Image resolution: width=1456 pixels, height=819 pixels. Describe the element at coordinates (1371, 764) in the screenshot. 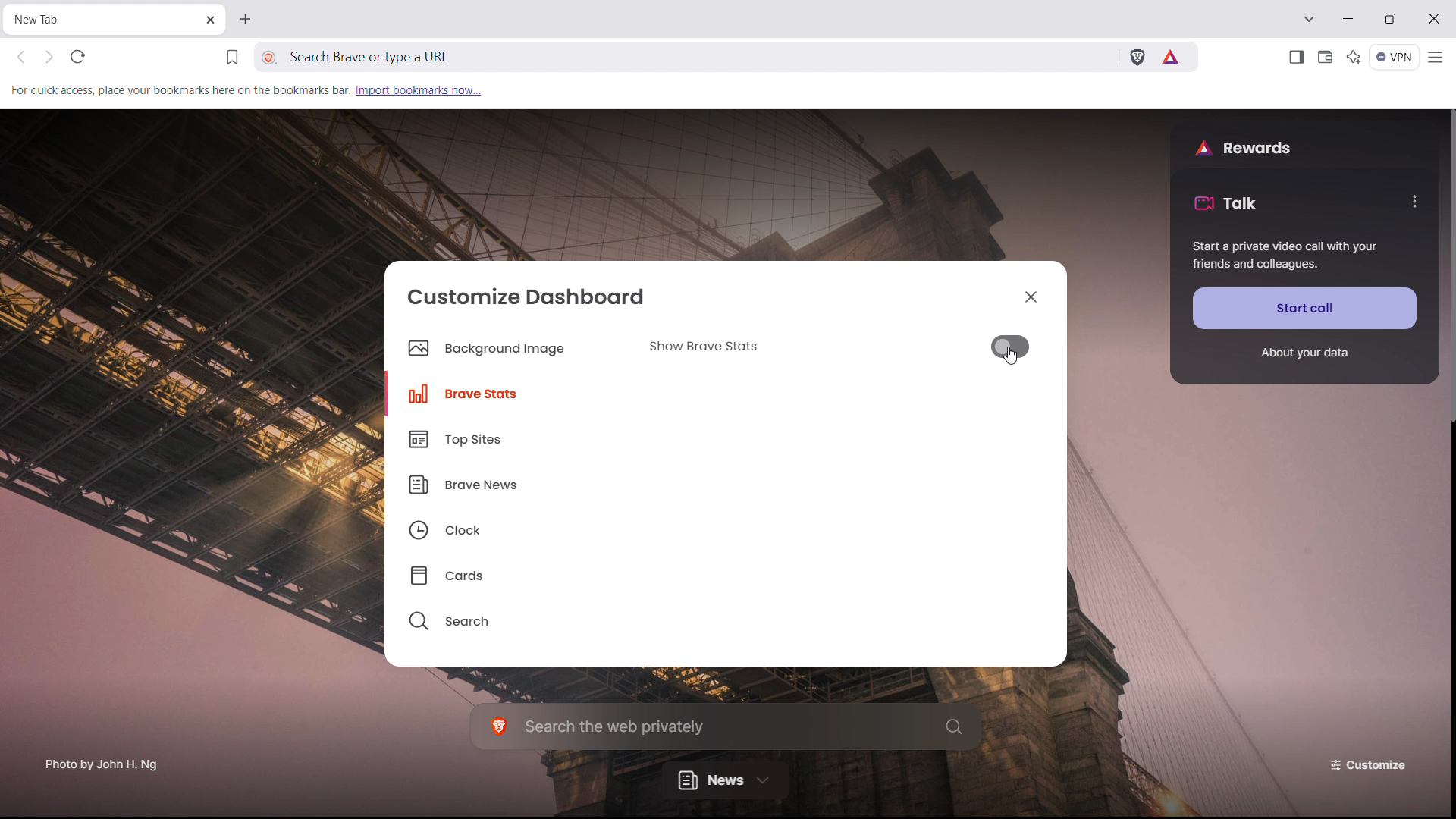

I see `customize` at that location.